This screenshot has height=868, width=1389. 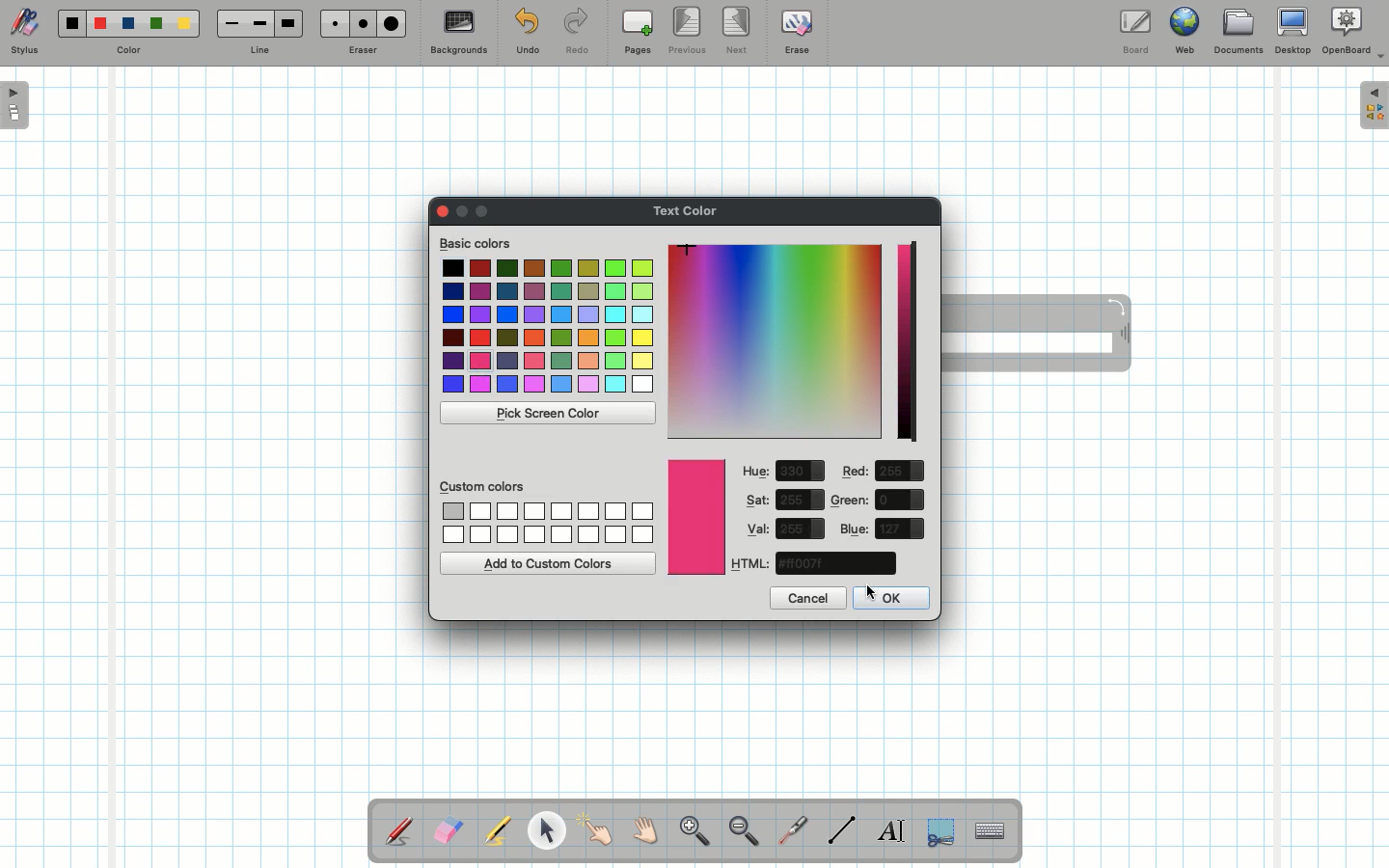 What do you see at coordinates (101, 24) in the screenshot?
I see `Red` at bounding box center [101, 24].